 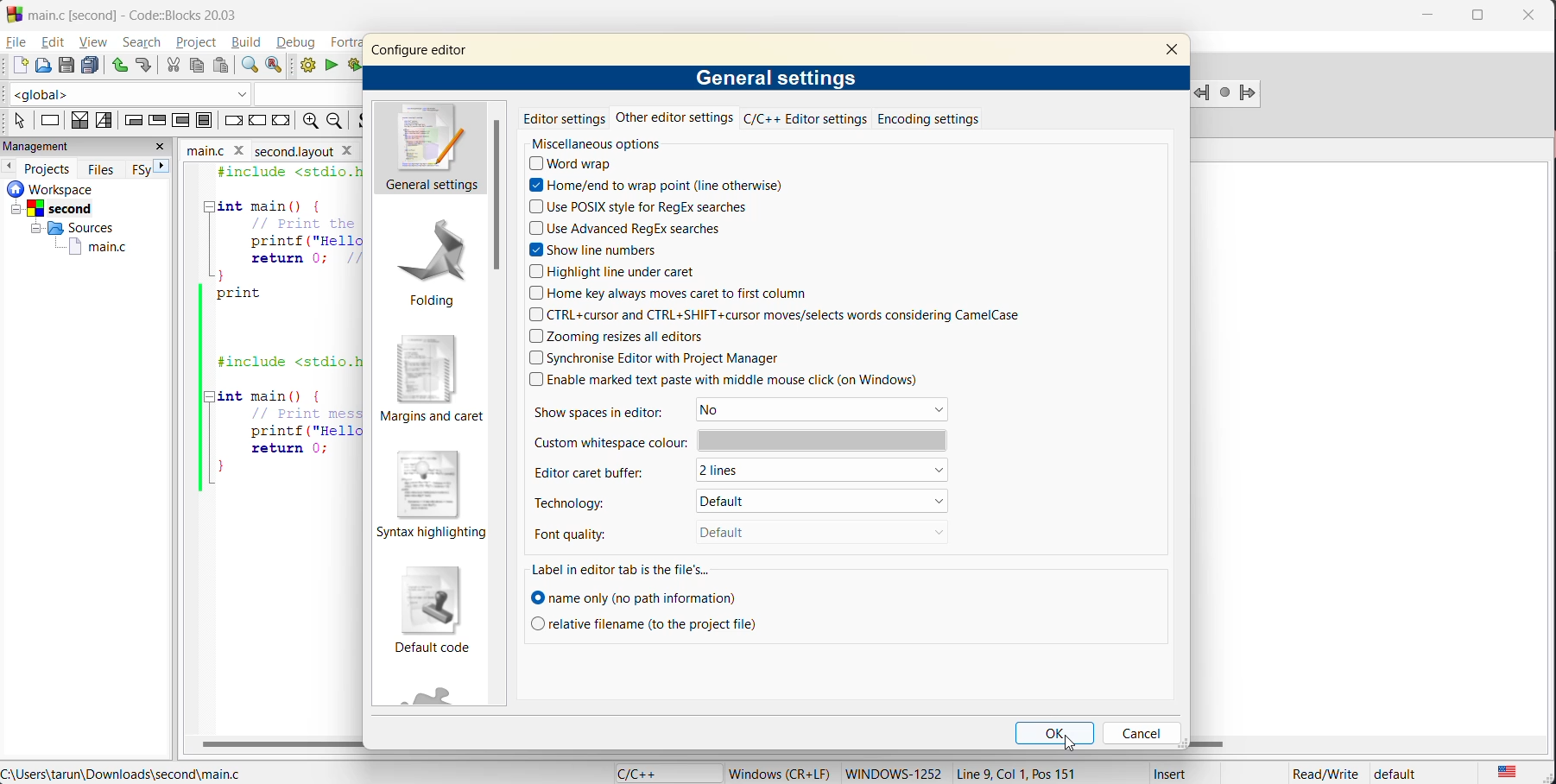 What do you see at coordinates (206, 121) in the screenshot?
I see `block instruction` at bounding box center [206, 121].